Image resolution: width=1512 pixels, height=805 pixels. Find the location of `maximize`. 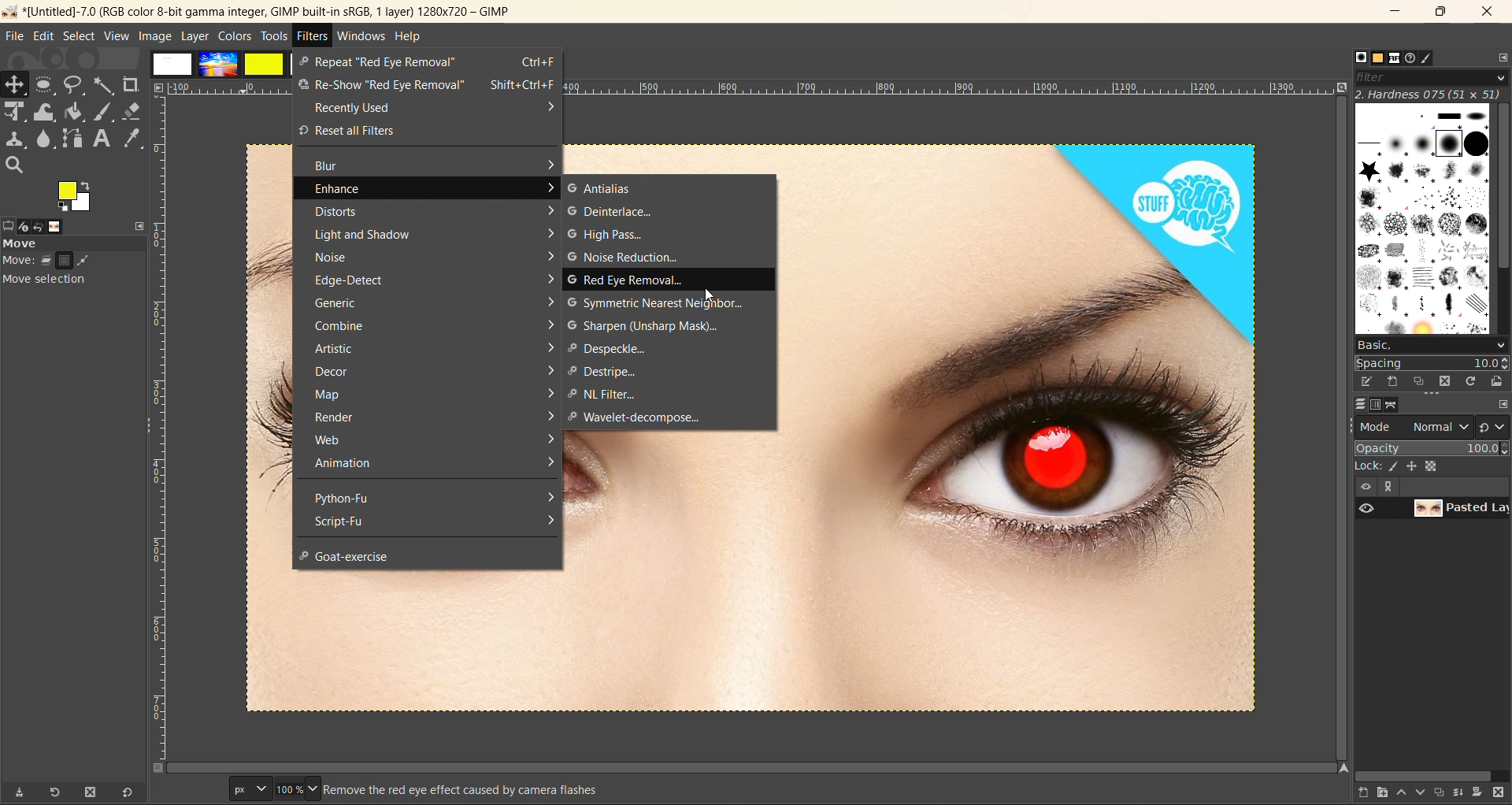

maximize is located at coordinates (1440, 15).